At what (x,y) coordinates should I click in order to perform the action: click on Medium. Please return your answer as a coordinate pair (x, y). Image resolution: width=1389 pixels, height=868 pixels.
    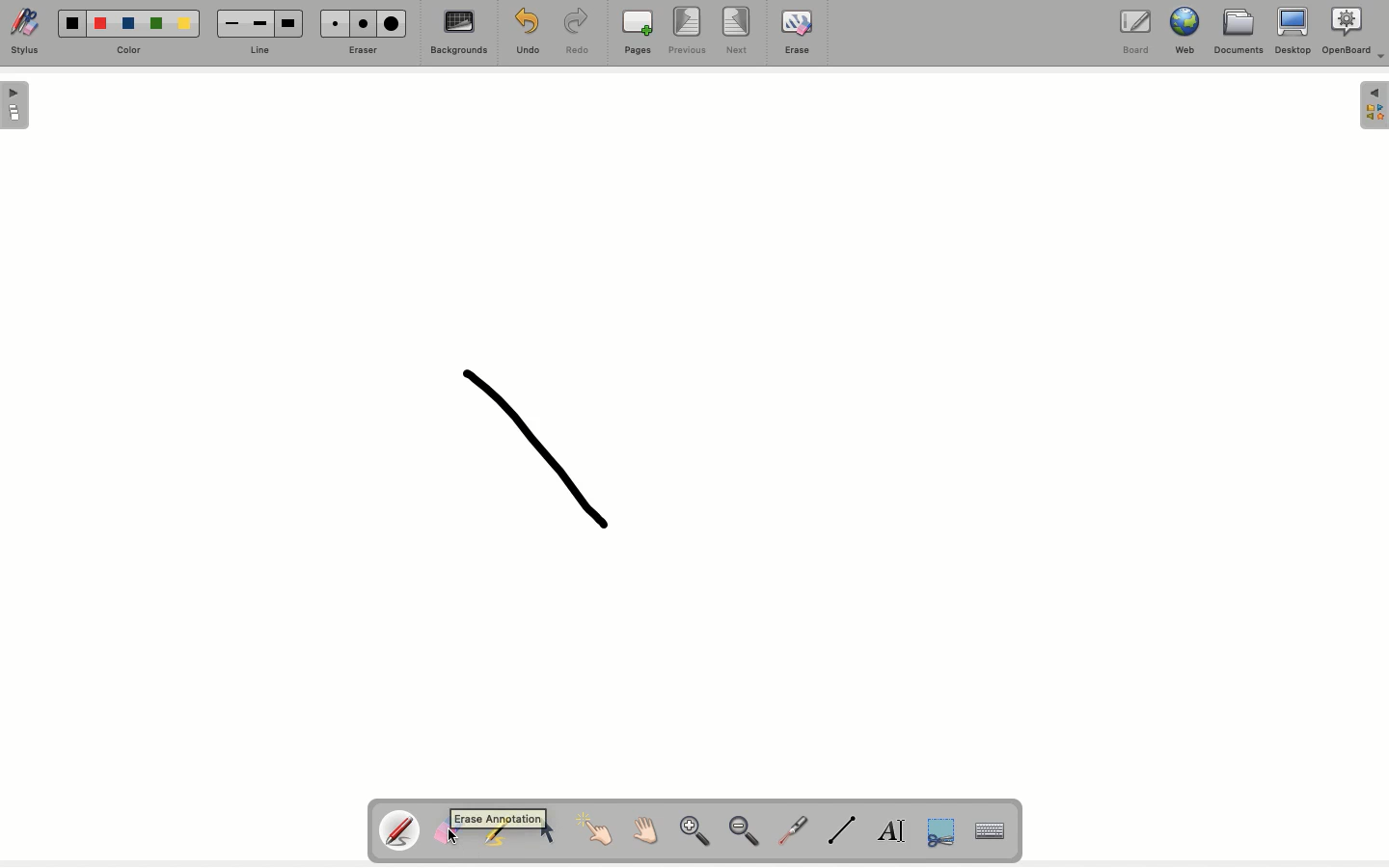
    Looking at the image, I should click on (259, 24).